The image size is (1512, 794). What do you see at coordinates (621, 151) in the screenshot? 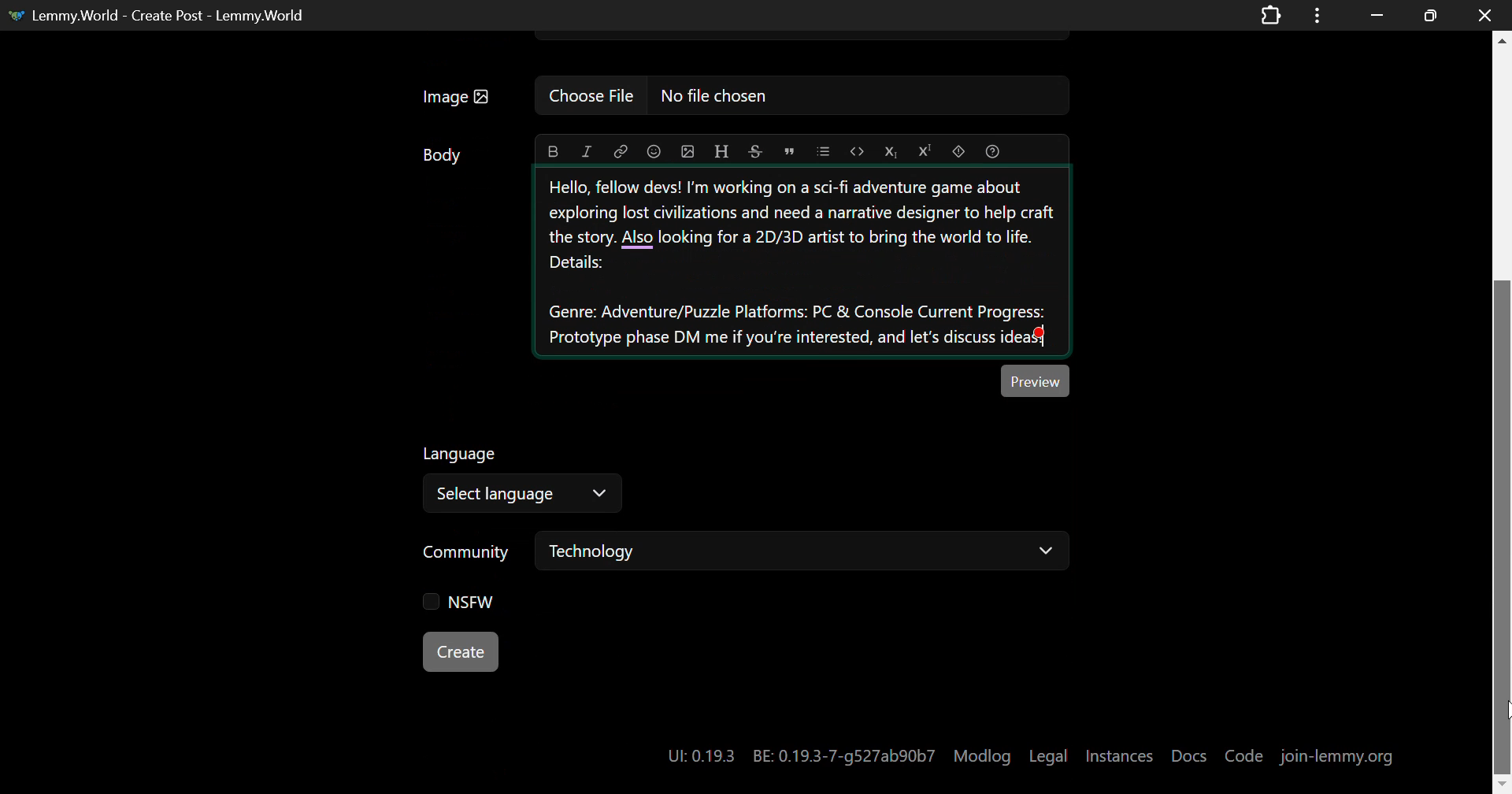
I see `link` at bounding box center [621, 151].